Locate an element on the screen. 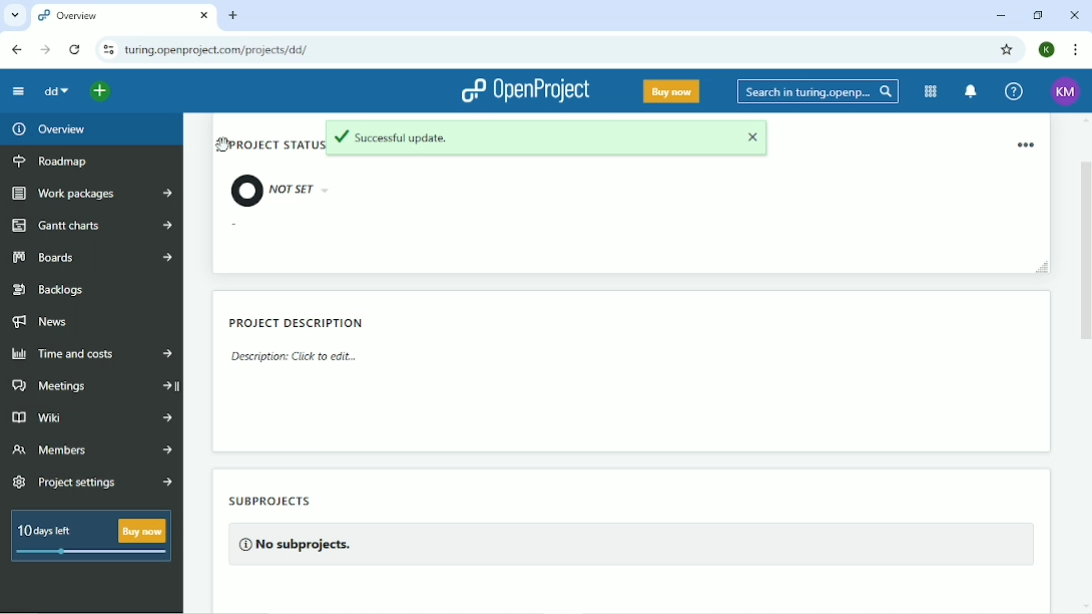 This screenshot has height=614, width=1092. OpenProject is located at coordinates (526, 92).